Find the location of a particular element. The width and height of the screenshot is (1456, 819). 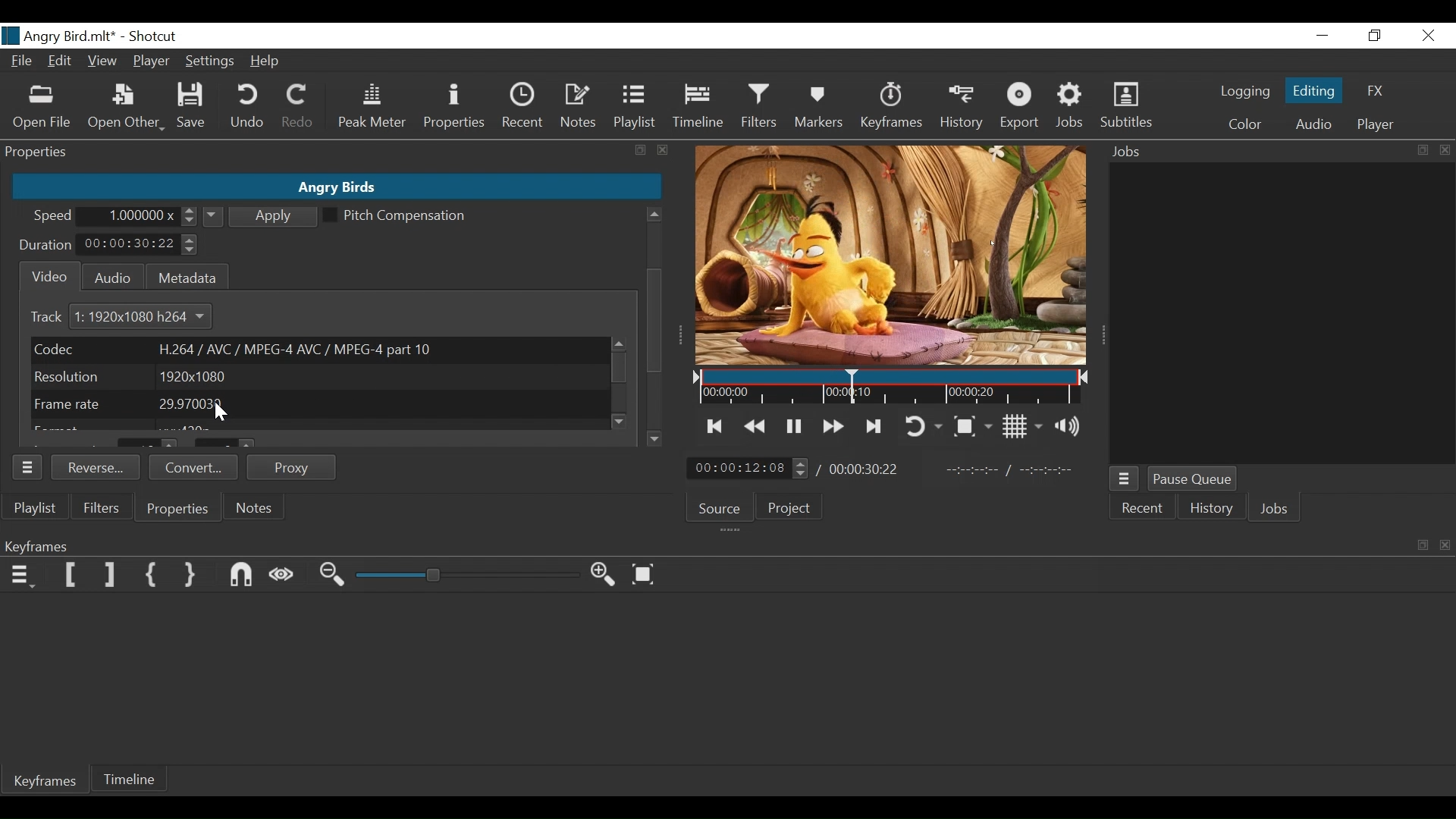

Peak Meter is located at coordinates (371, 108).